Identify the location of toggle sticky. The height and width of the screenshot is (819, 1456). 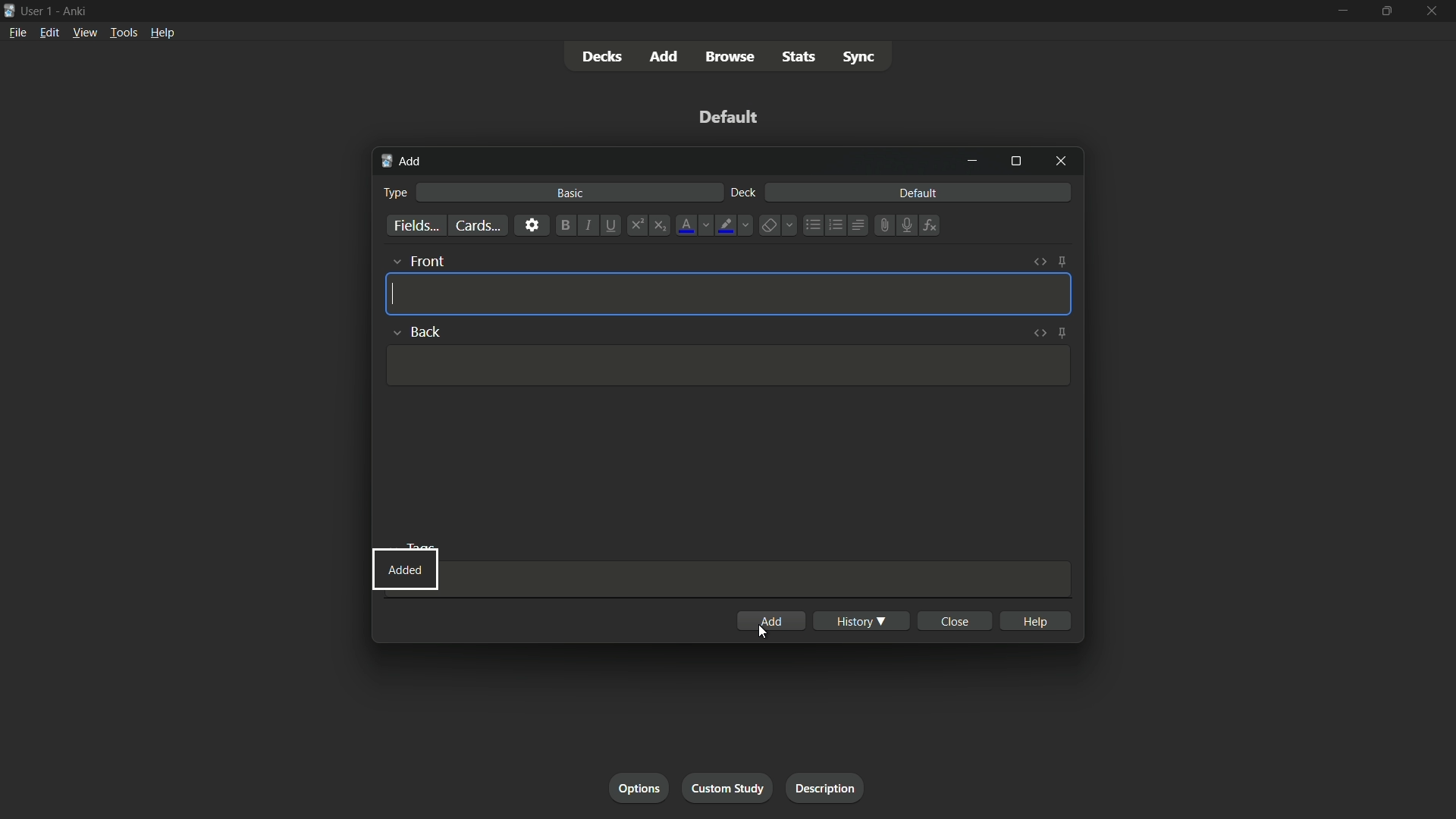
(1062, 262).